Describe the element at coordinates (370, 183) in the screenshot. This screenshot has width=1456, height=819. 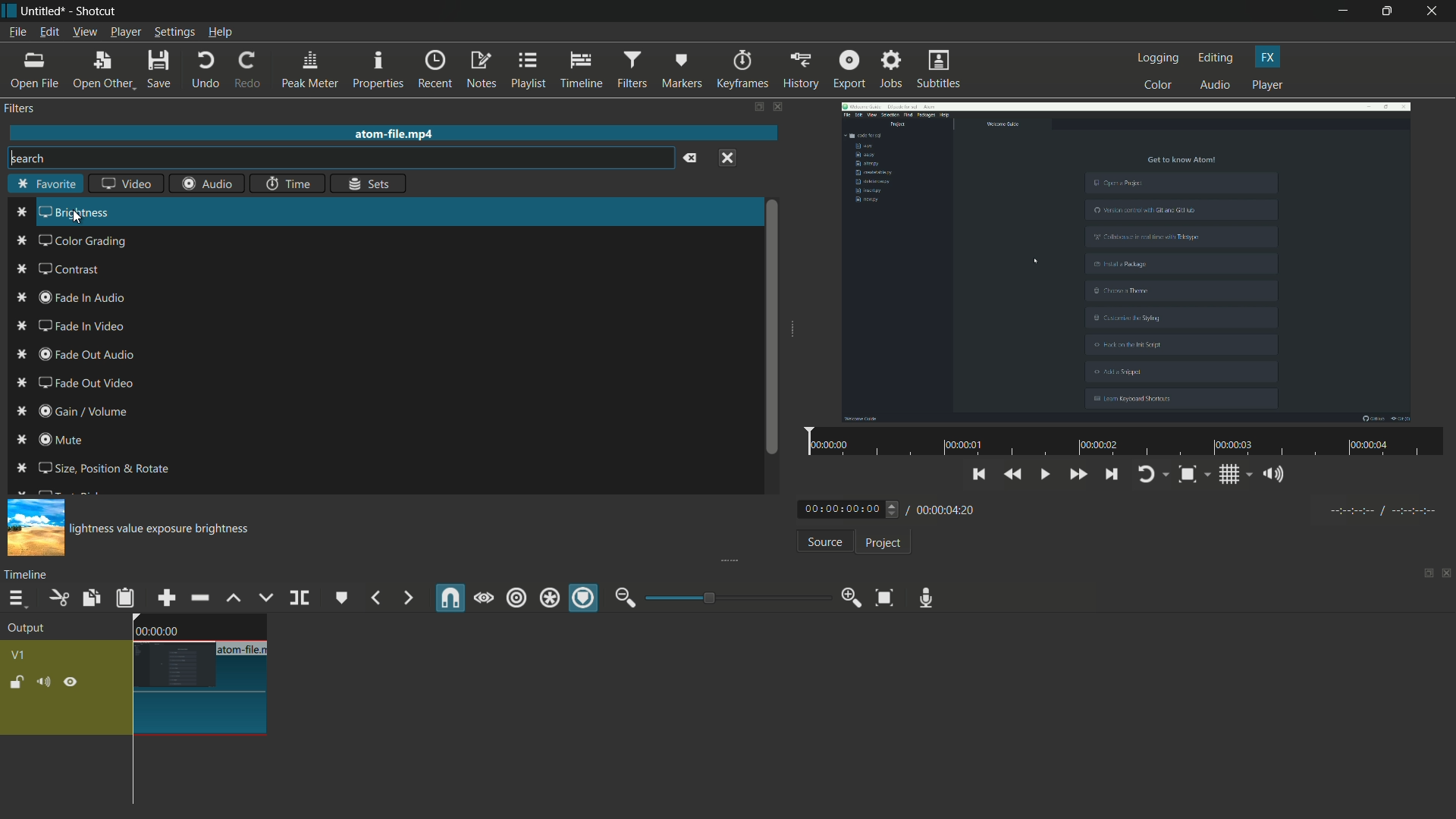
I see `sets` at that location.